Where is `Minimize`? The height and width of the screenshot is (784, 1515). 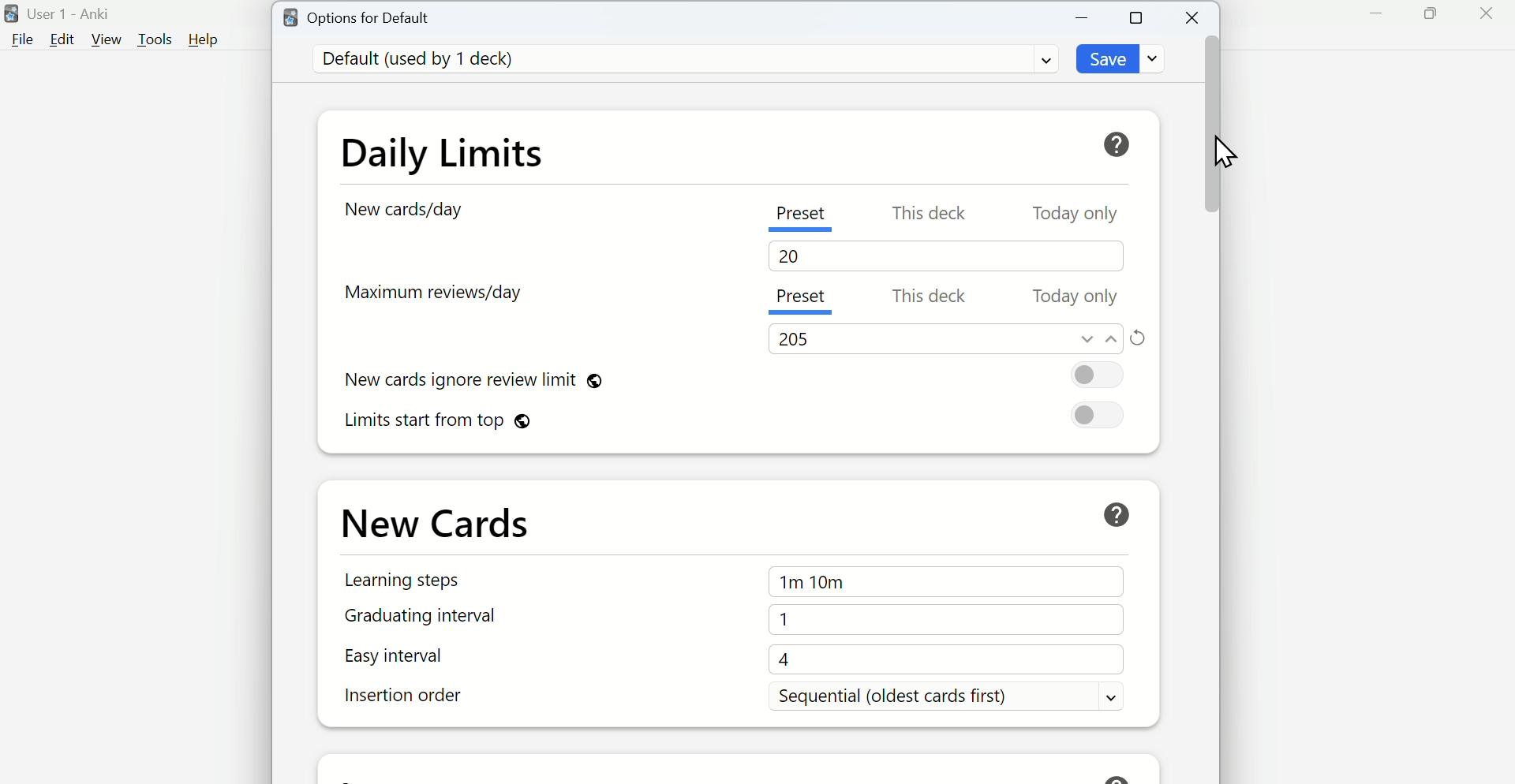 Minimize is located at coordinates (1377, 14).